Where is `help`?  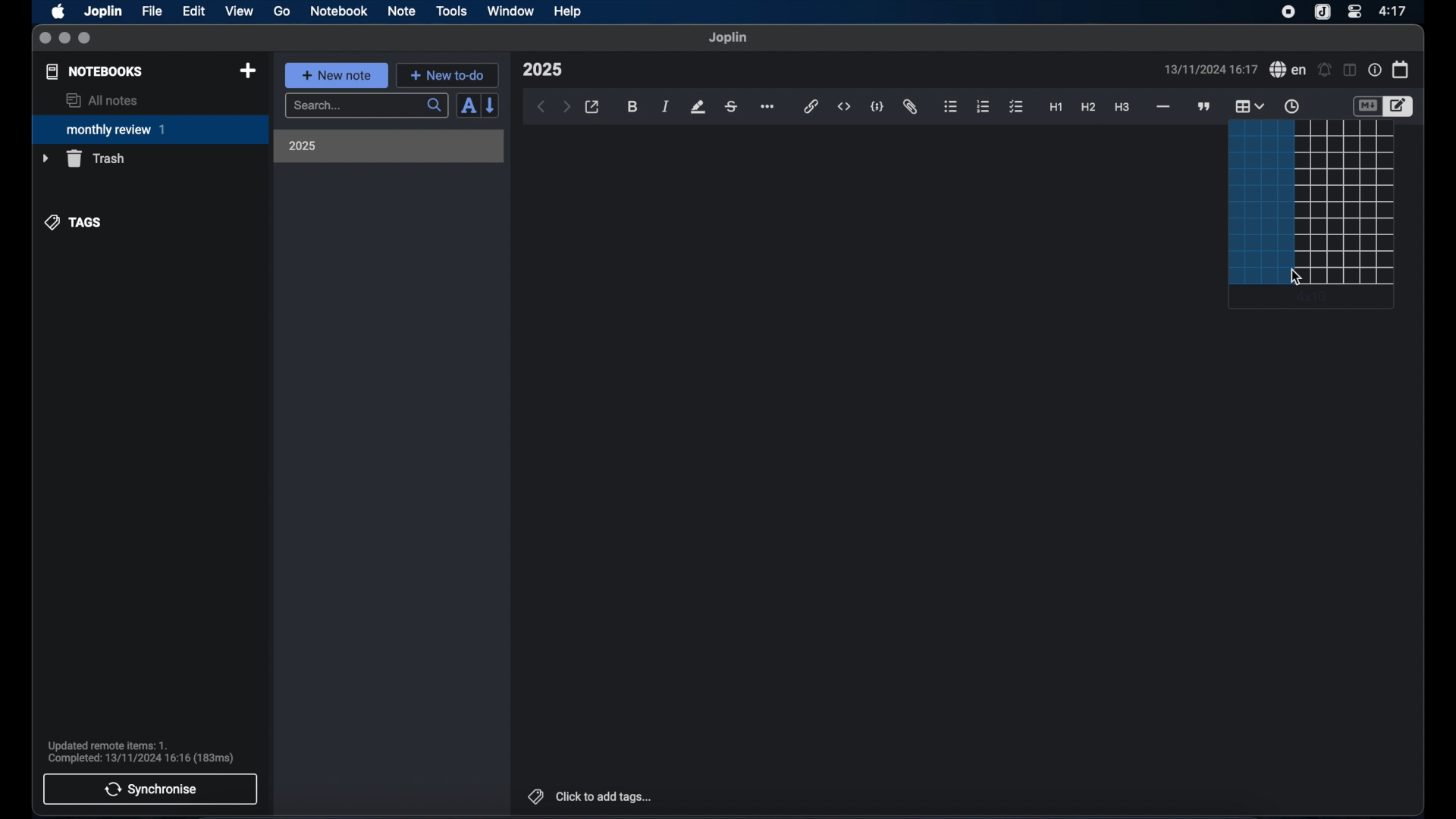
help is located at coordinates (569, 11).